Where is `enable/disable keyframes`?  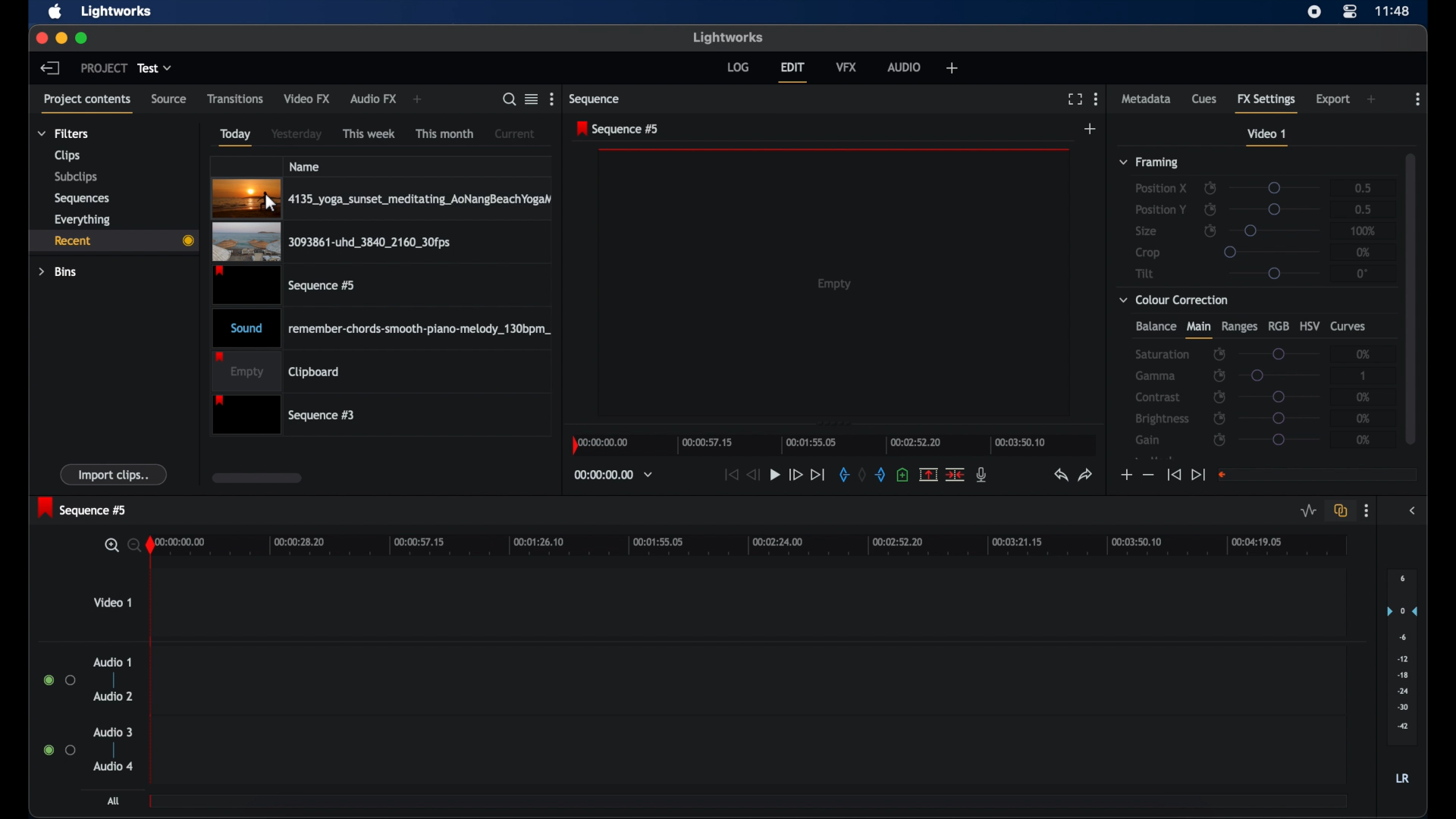 enable/disable keyframes is located at coordinates (1220, 397).